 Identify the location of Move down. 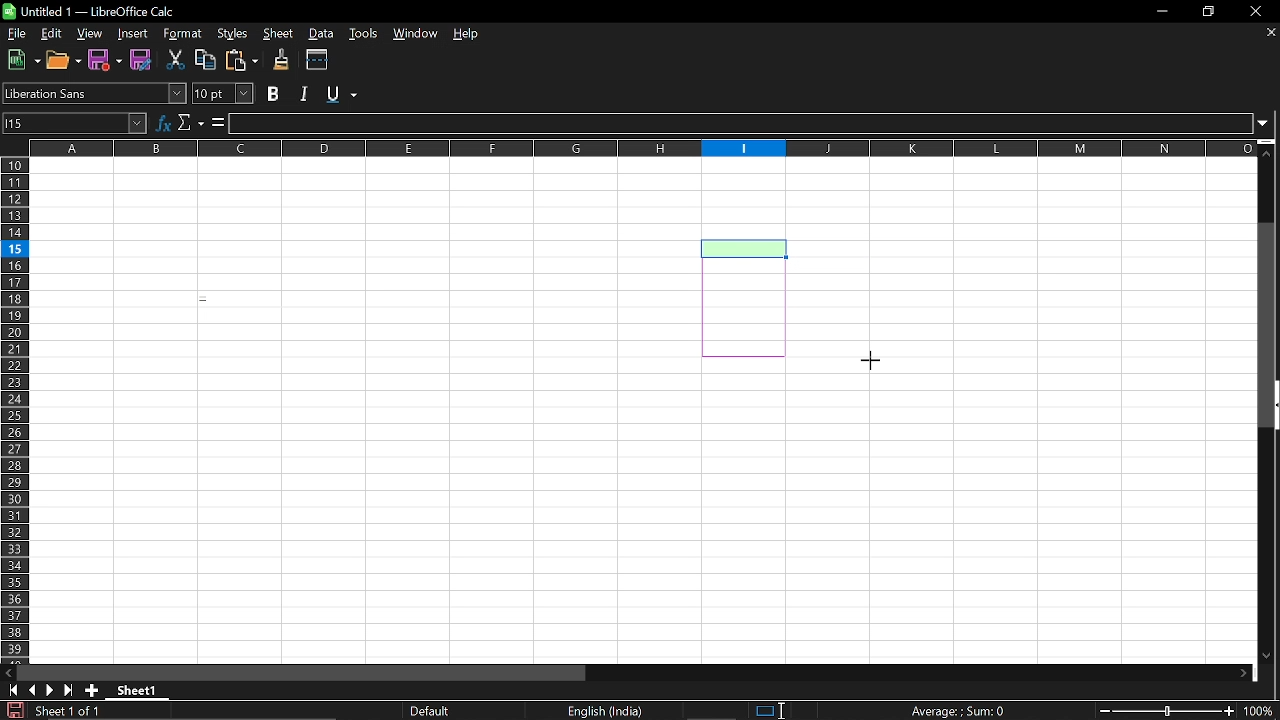
(1272, 656).